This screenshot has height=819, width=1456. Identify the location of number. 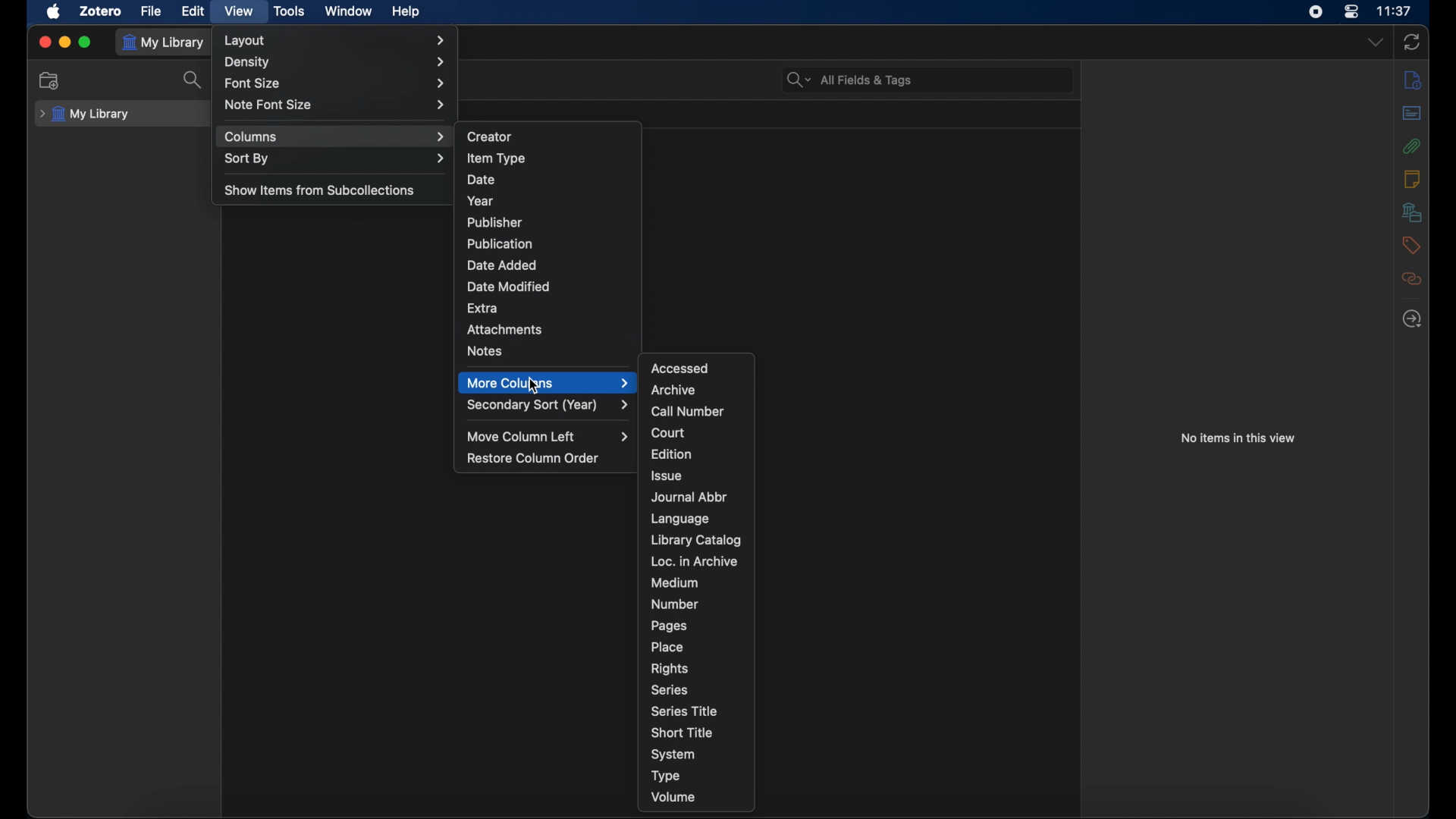
(676, 604).